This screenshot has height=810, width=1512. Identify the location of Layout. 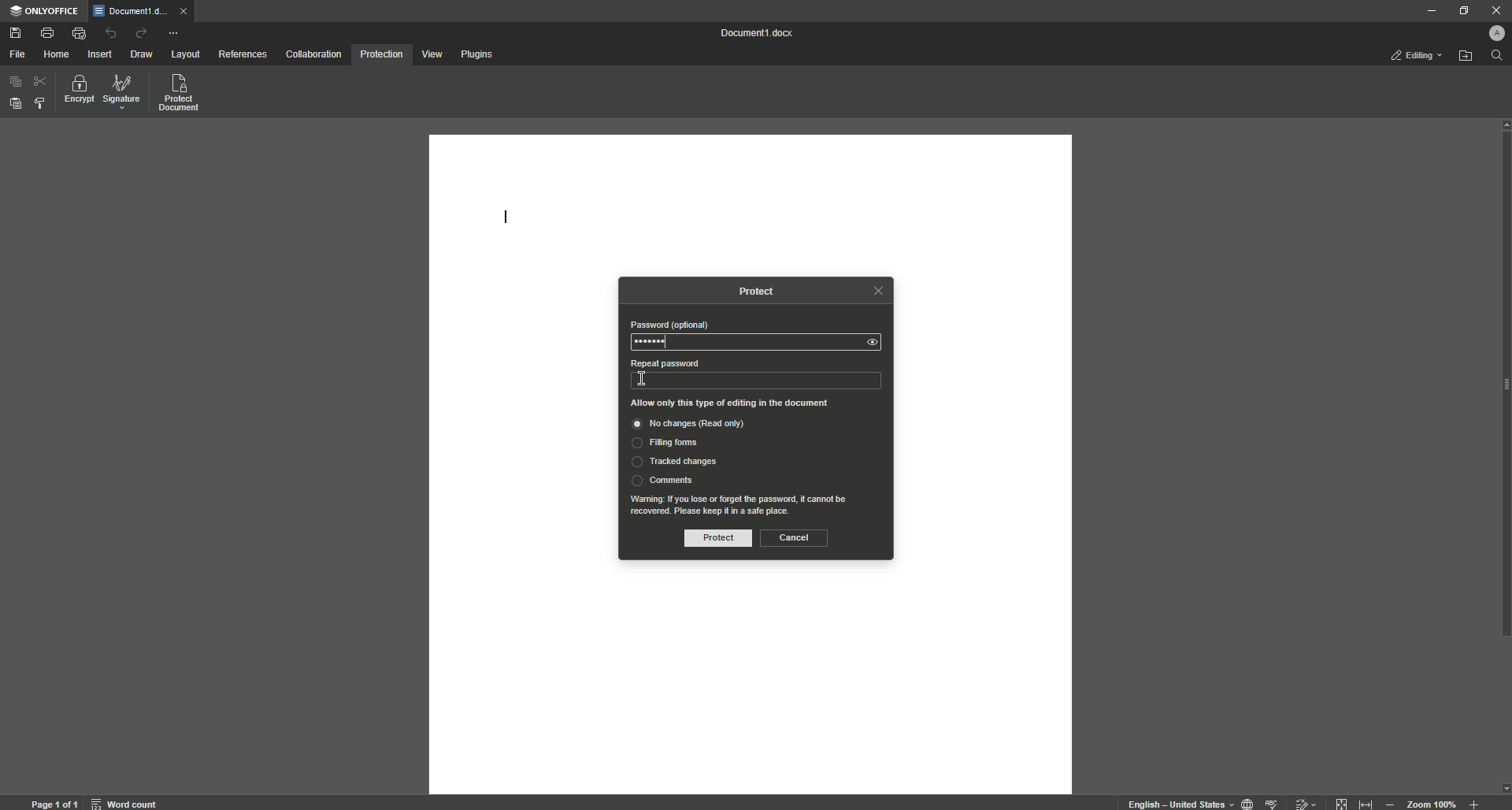
(187, 55).